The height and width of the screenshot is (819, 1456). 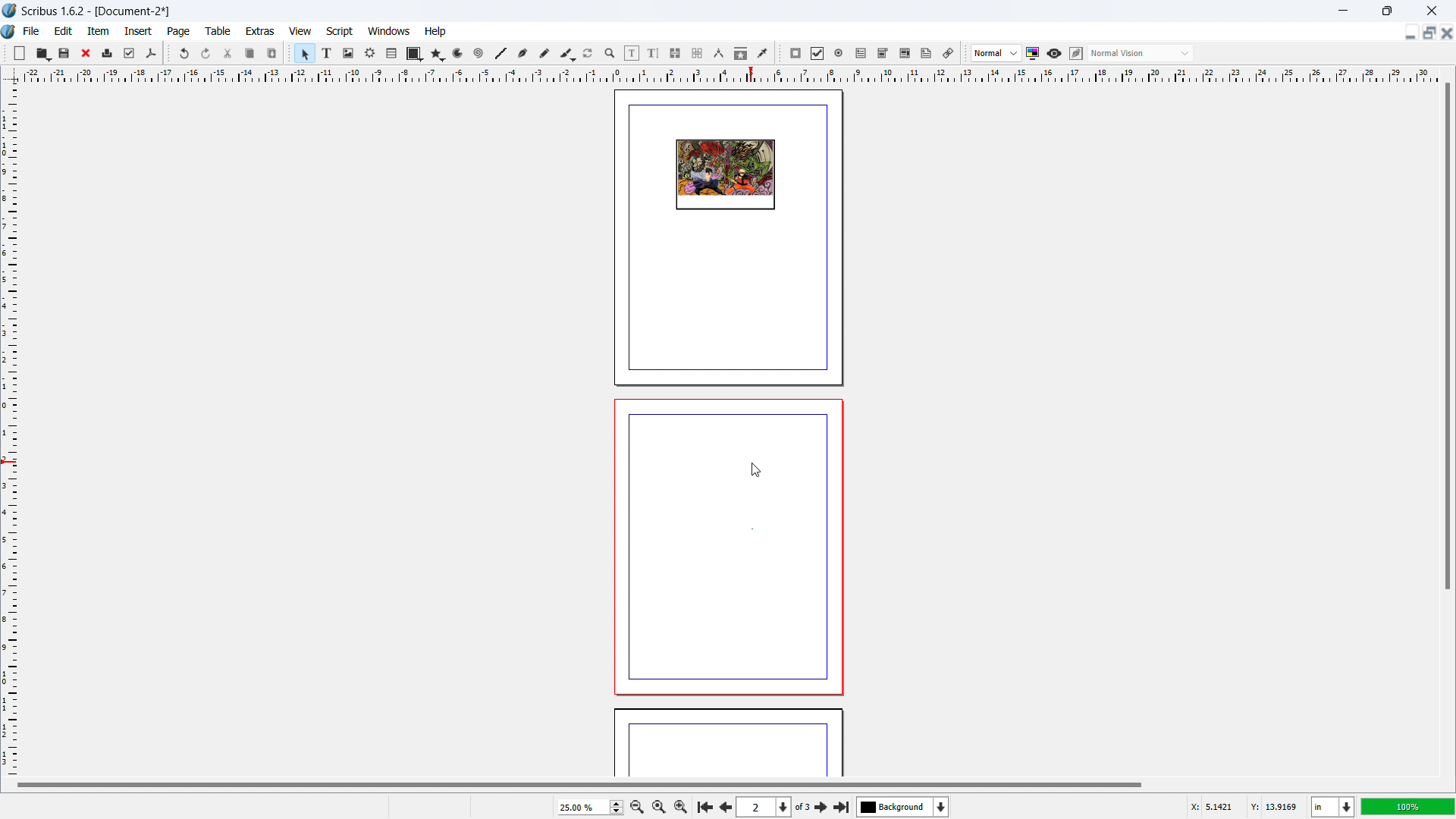 What do you see at coordinates (681, 805) in the screenshot?
I see `zoom in by the stepping value in tool preference` at bounding box center [681, 805].